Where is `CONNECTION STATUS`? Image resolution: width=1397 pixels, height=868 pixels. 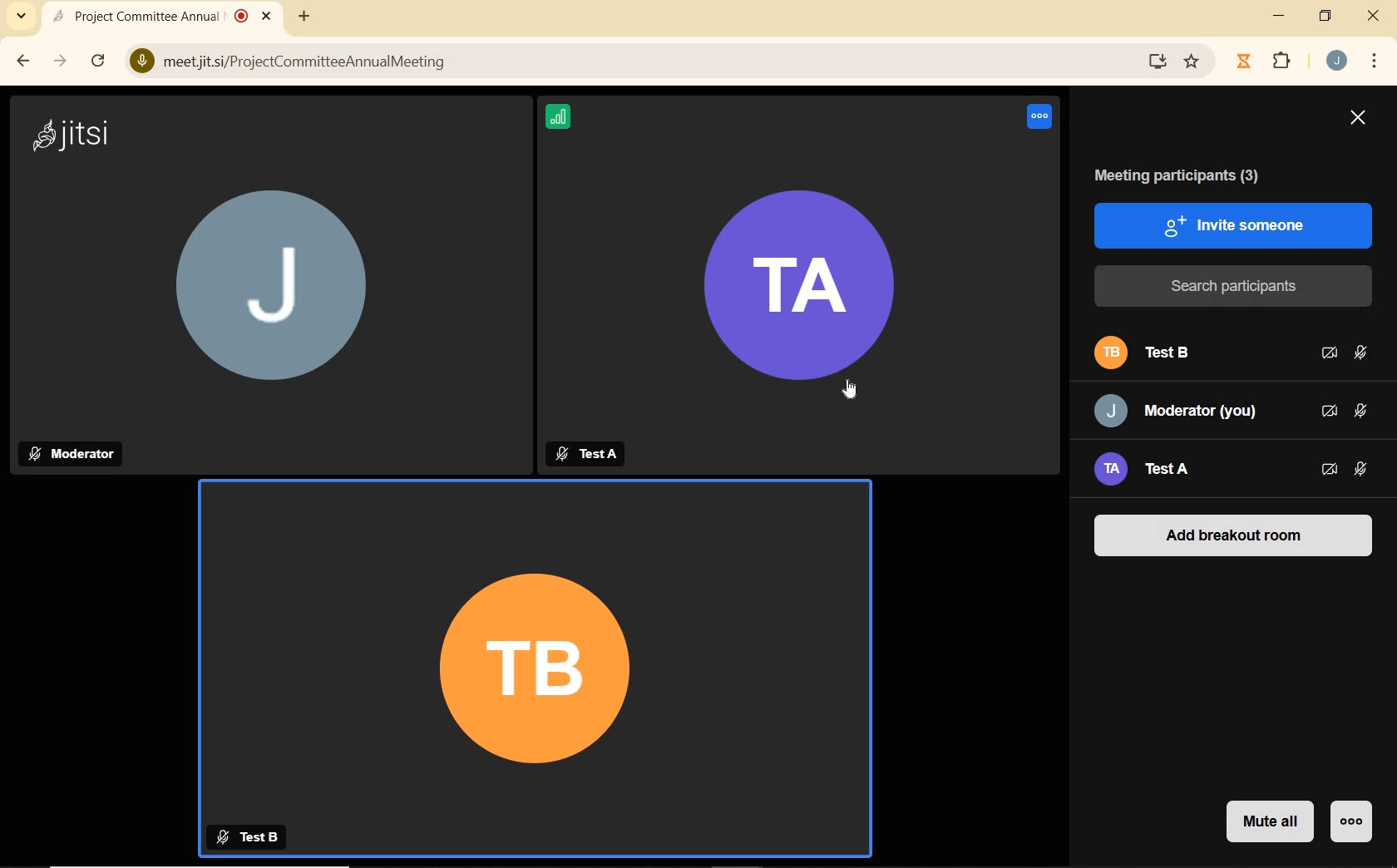 CONNECTION STATUS is located at coordinates (556, 116).